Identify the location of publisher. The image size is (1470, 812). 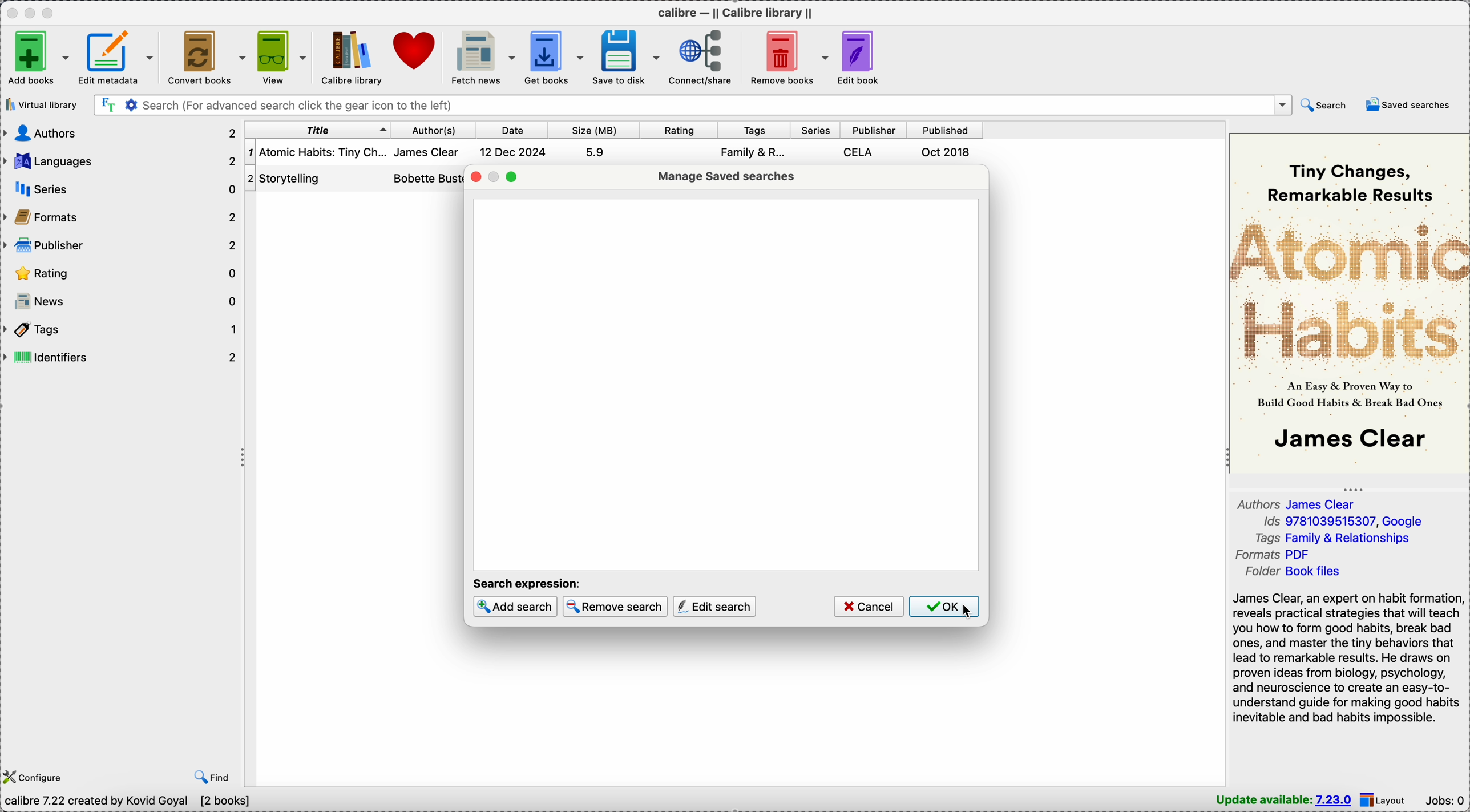
(872, 131).